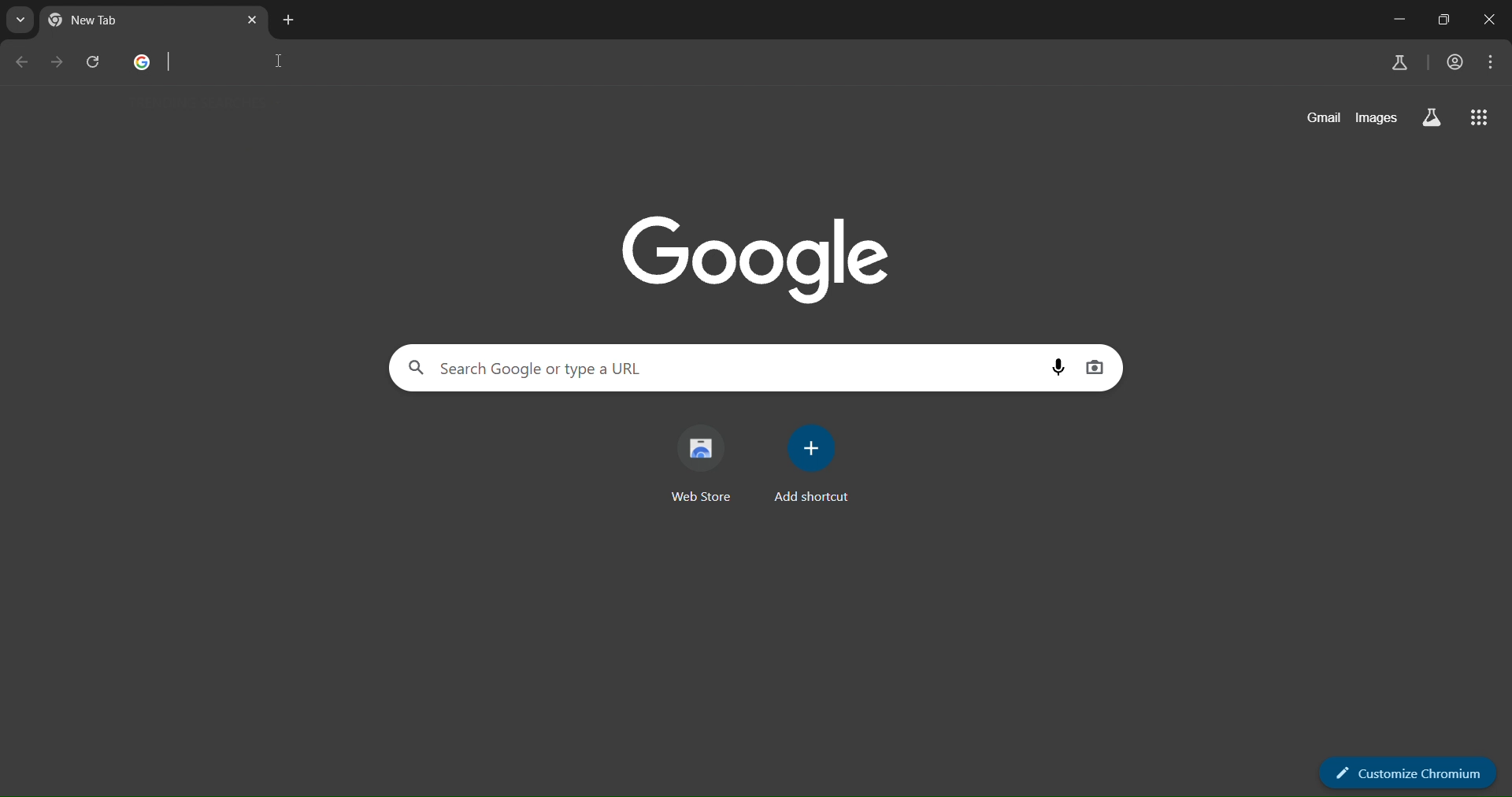 The width and height of the screenshot is (1512, 797). What do you see at coordinates (1490, 65) in the screenshot?
I see `menu` at bounding box center [1490, 65].